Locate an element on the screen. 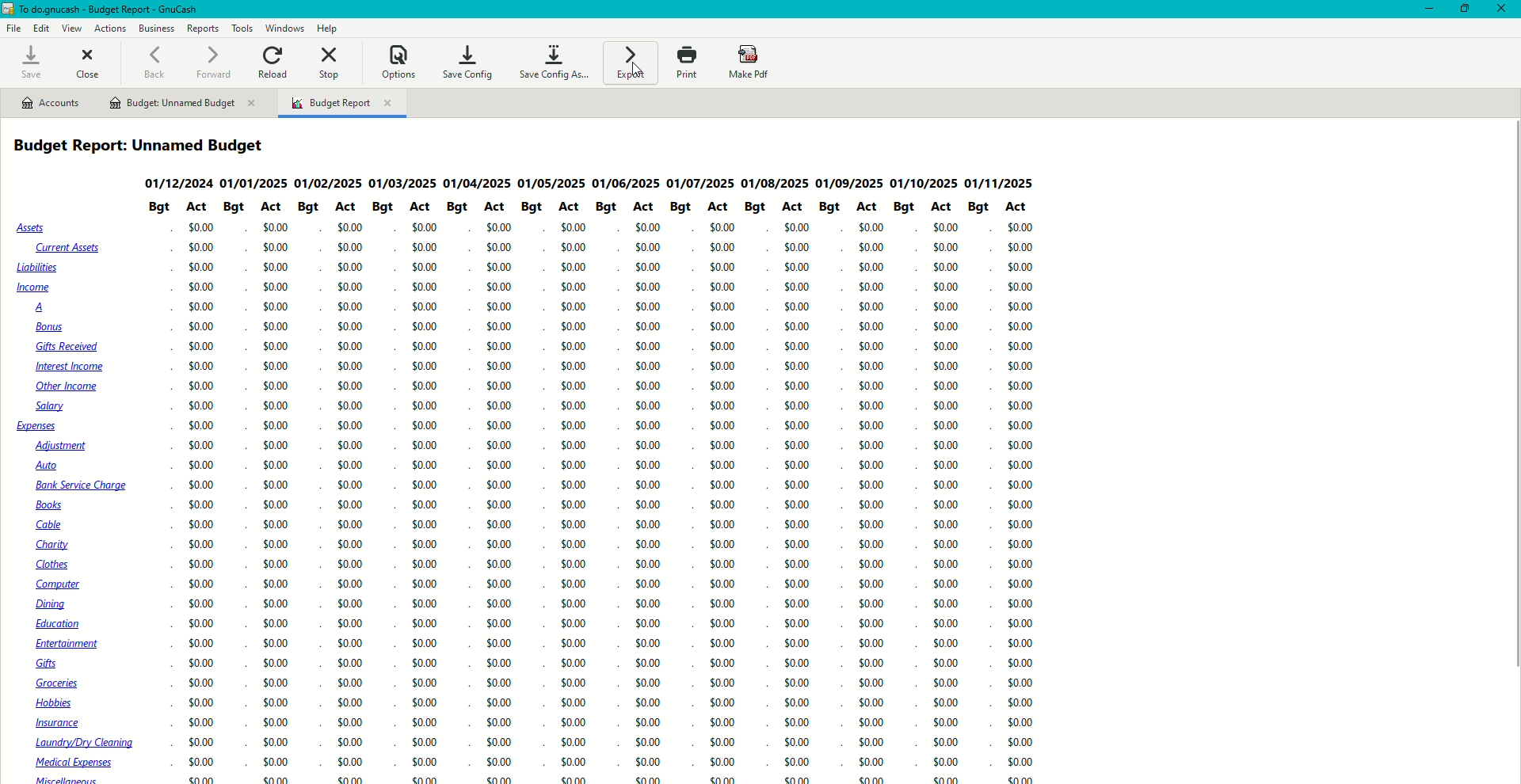 Image resolution: width=1521 pixels, height=784 pixels. $0.00 is located at coordinates (349, 507).